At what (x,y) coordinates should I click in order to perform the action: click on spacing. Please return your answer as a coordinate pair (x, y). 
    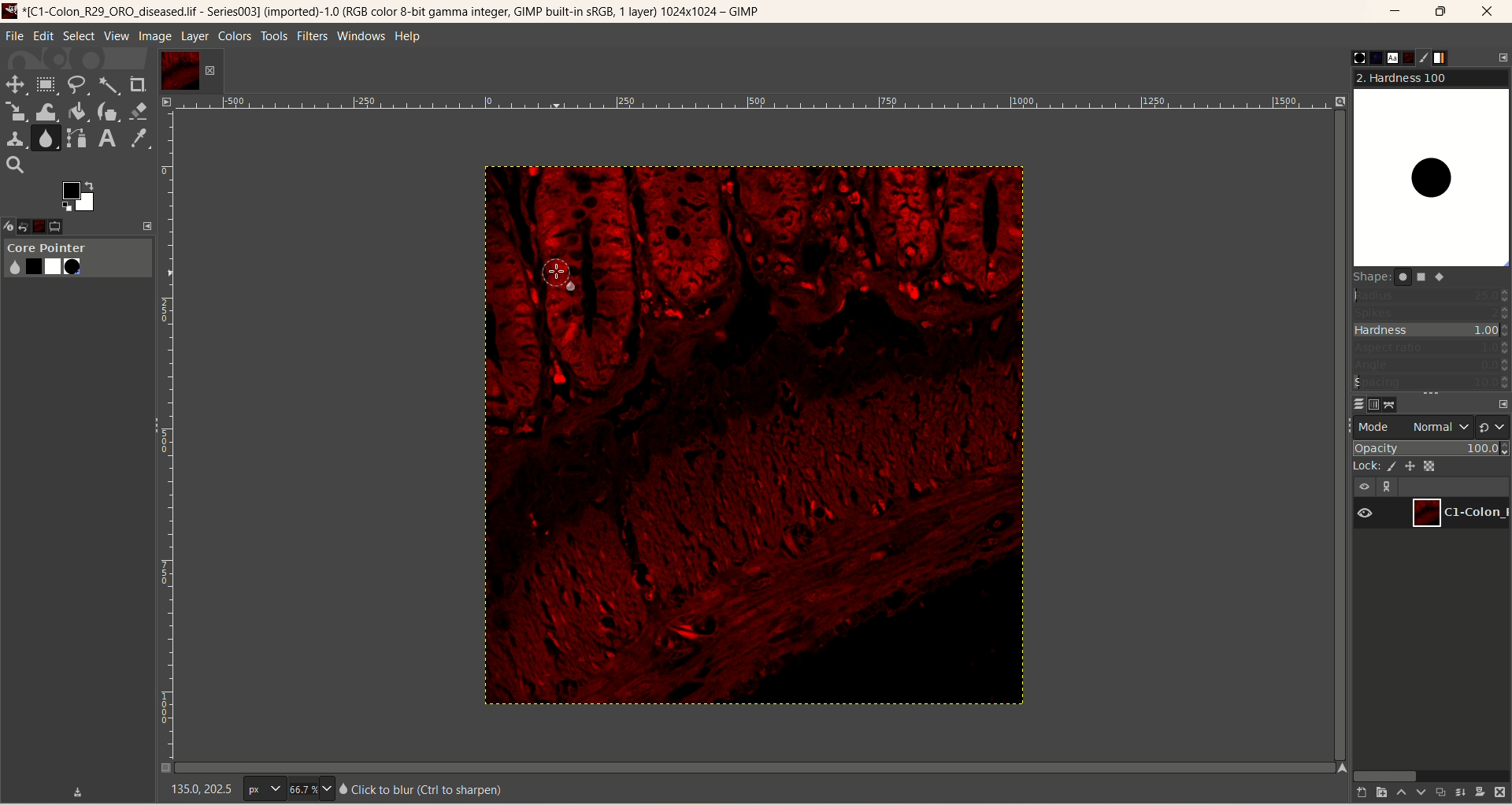
    Looking at the image, I should click on (1432, 383).